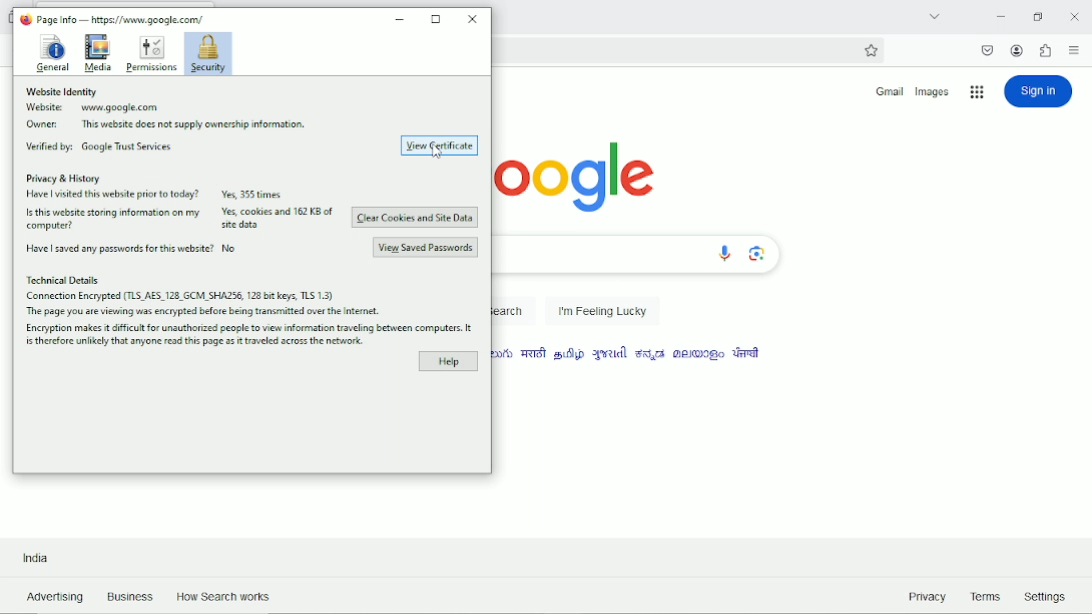  Describe the element at coordinates (472, 18) in the screenshot. I see `Close` at that location.